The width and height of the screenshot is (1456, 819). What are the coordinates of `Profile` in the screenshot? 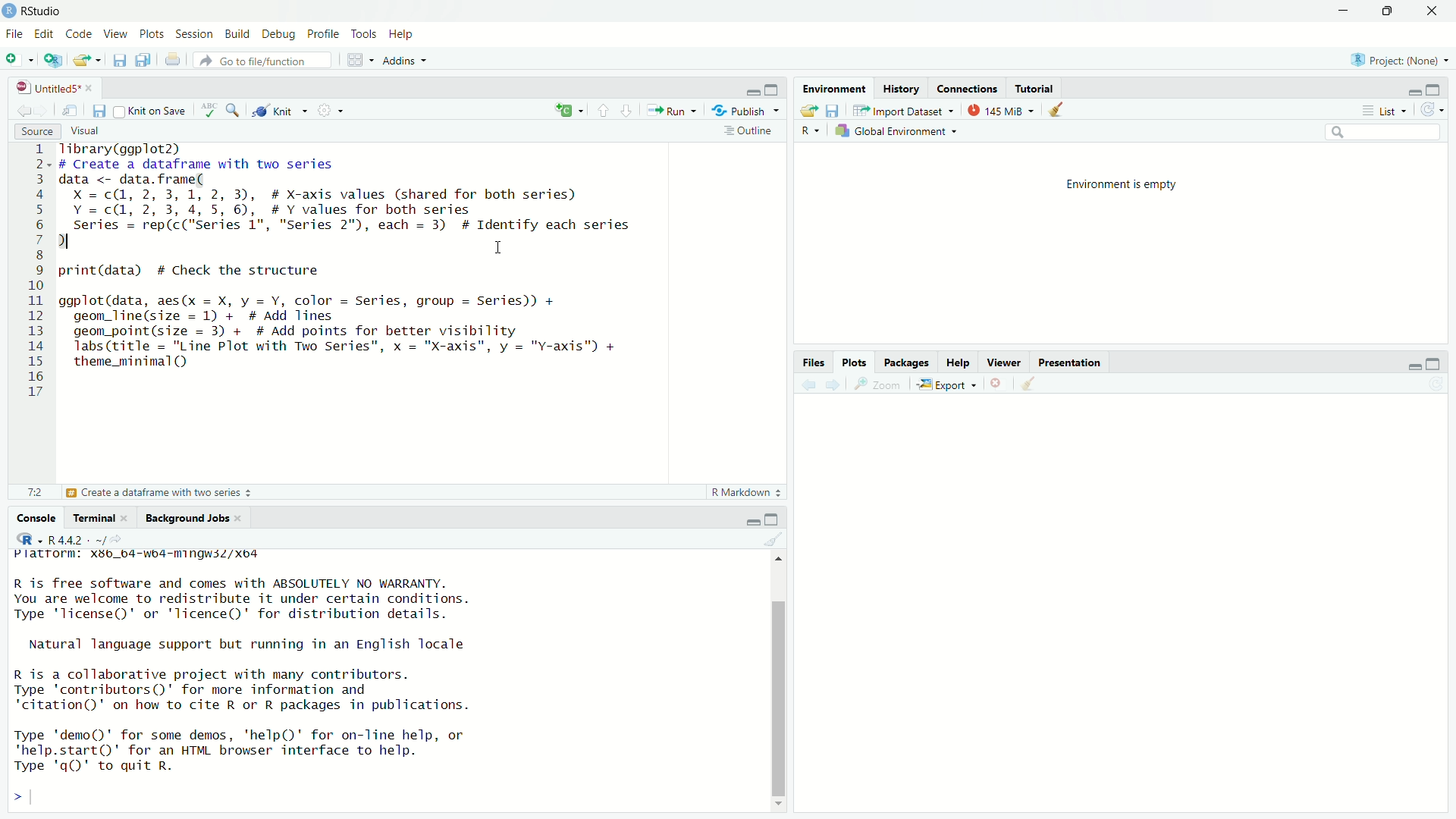 It's located at (322, 36).